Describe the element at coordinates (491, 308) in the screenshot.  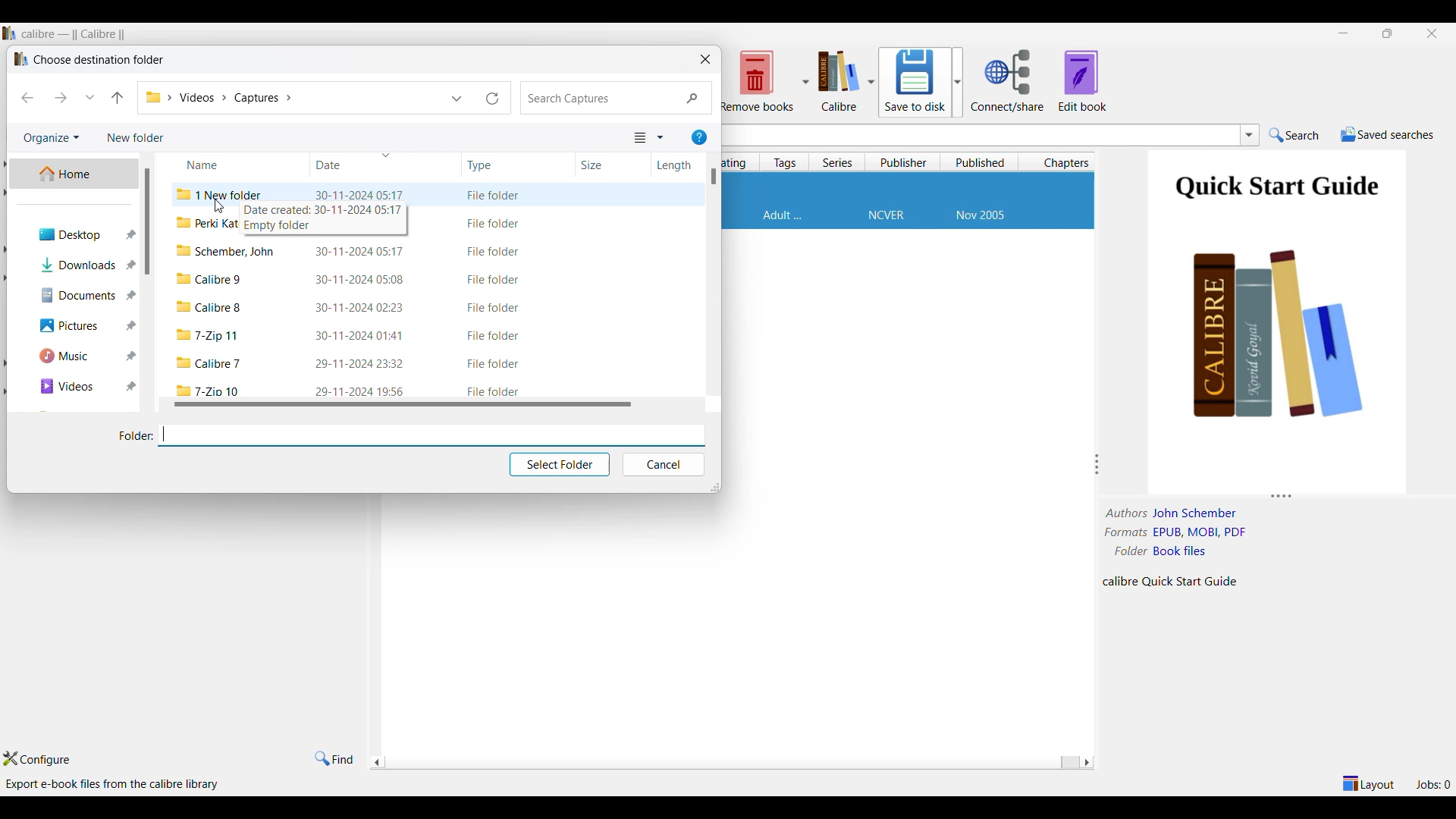
I see `file folder` at that location.